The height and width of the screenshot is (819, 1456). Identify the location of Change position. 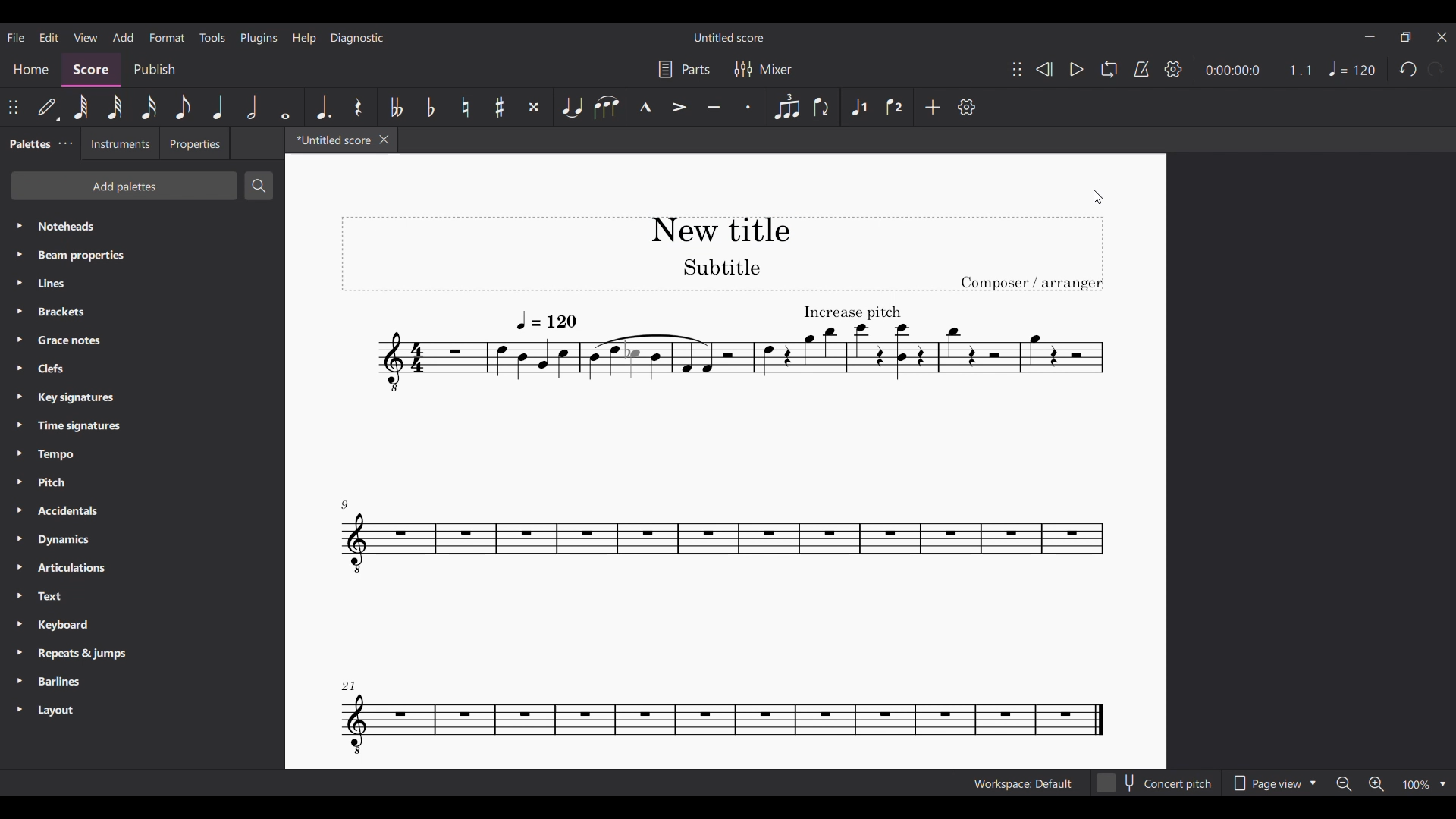
(1018, 69).